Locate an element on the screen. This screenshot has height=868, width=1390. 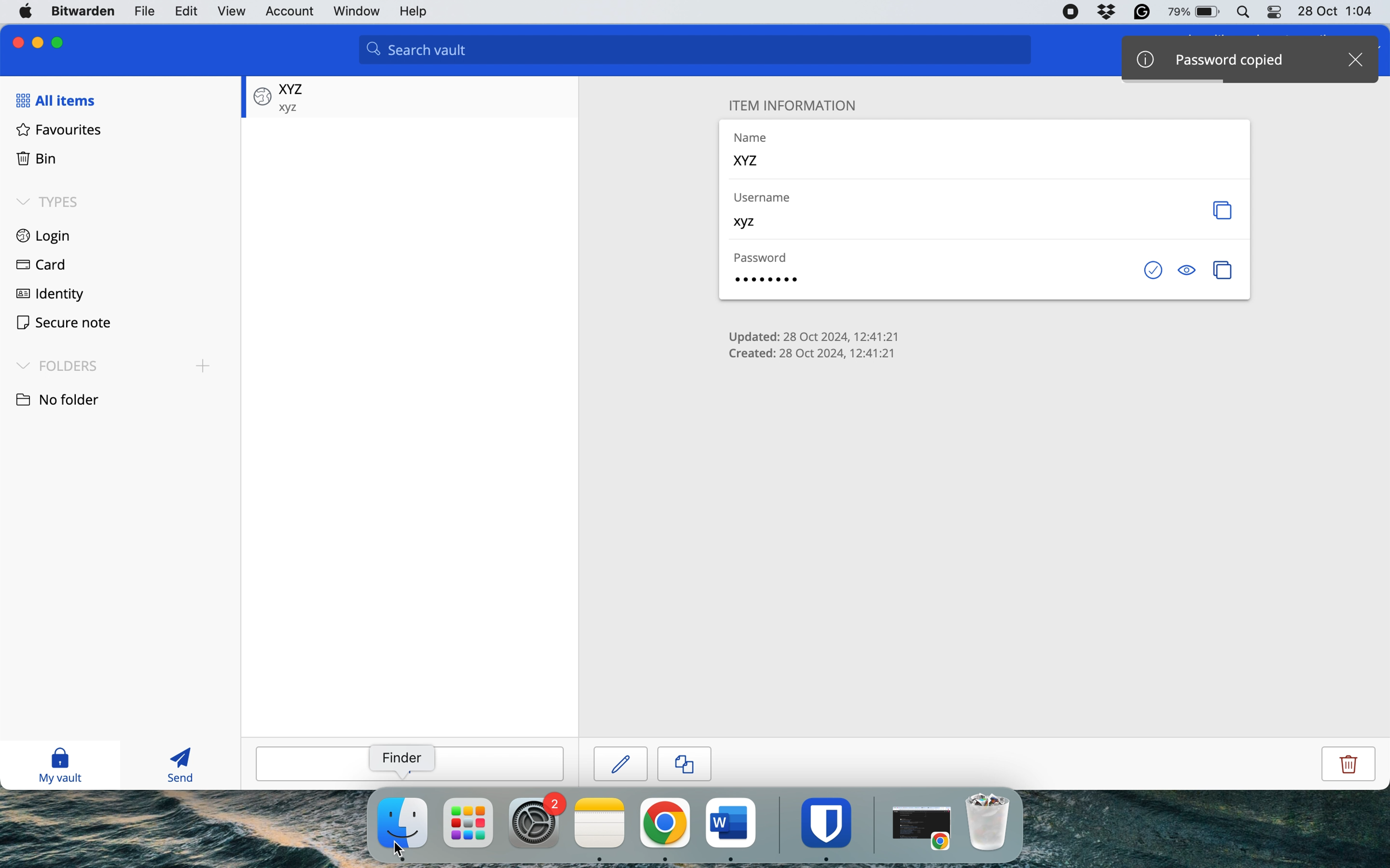
item information is located at coordinates (804, 103).